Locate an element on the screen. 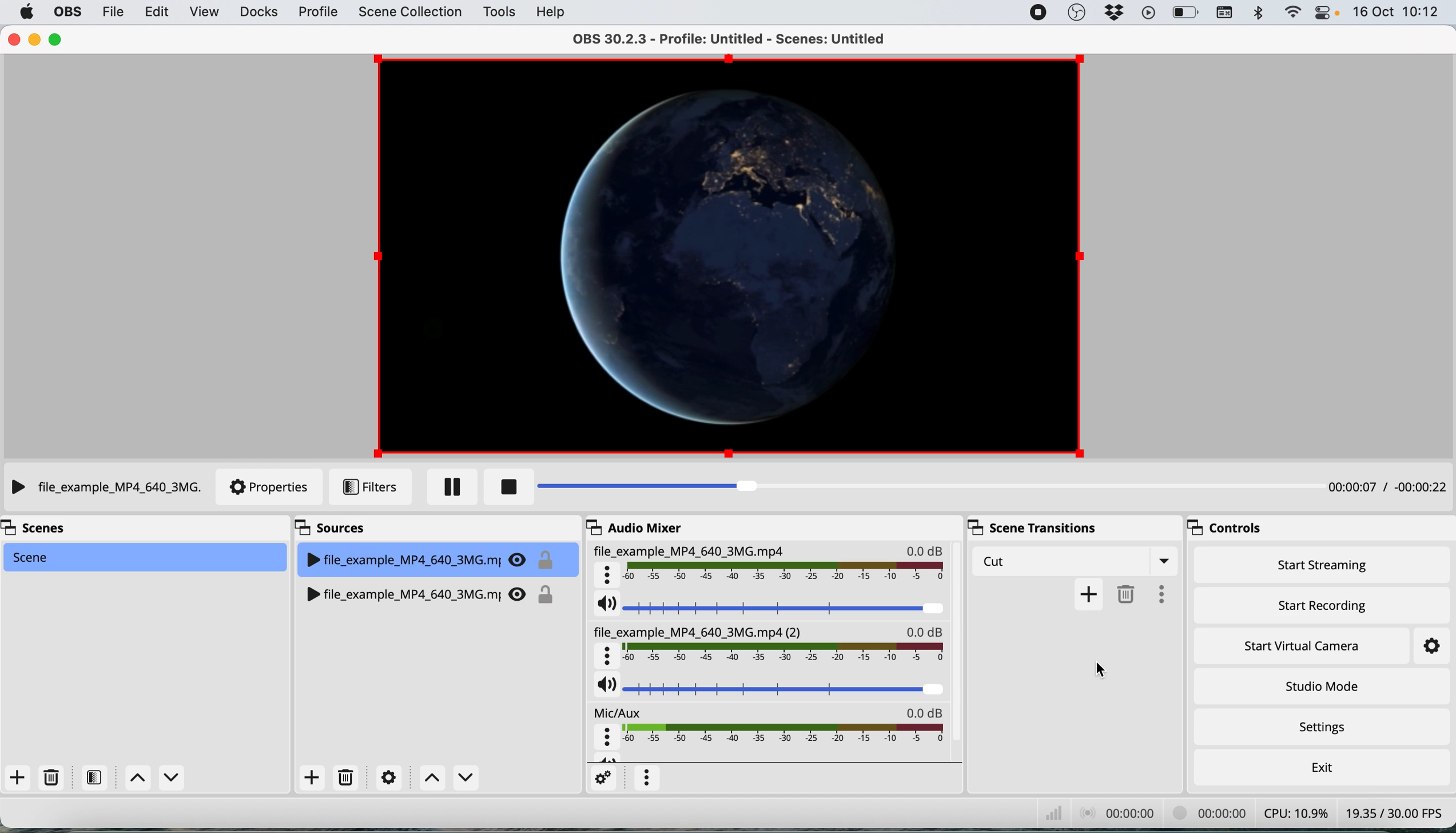 The width and height of the screenshot is (1456, 833). network is located at coordinates (1051, 814).